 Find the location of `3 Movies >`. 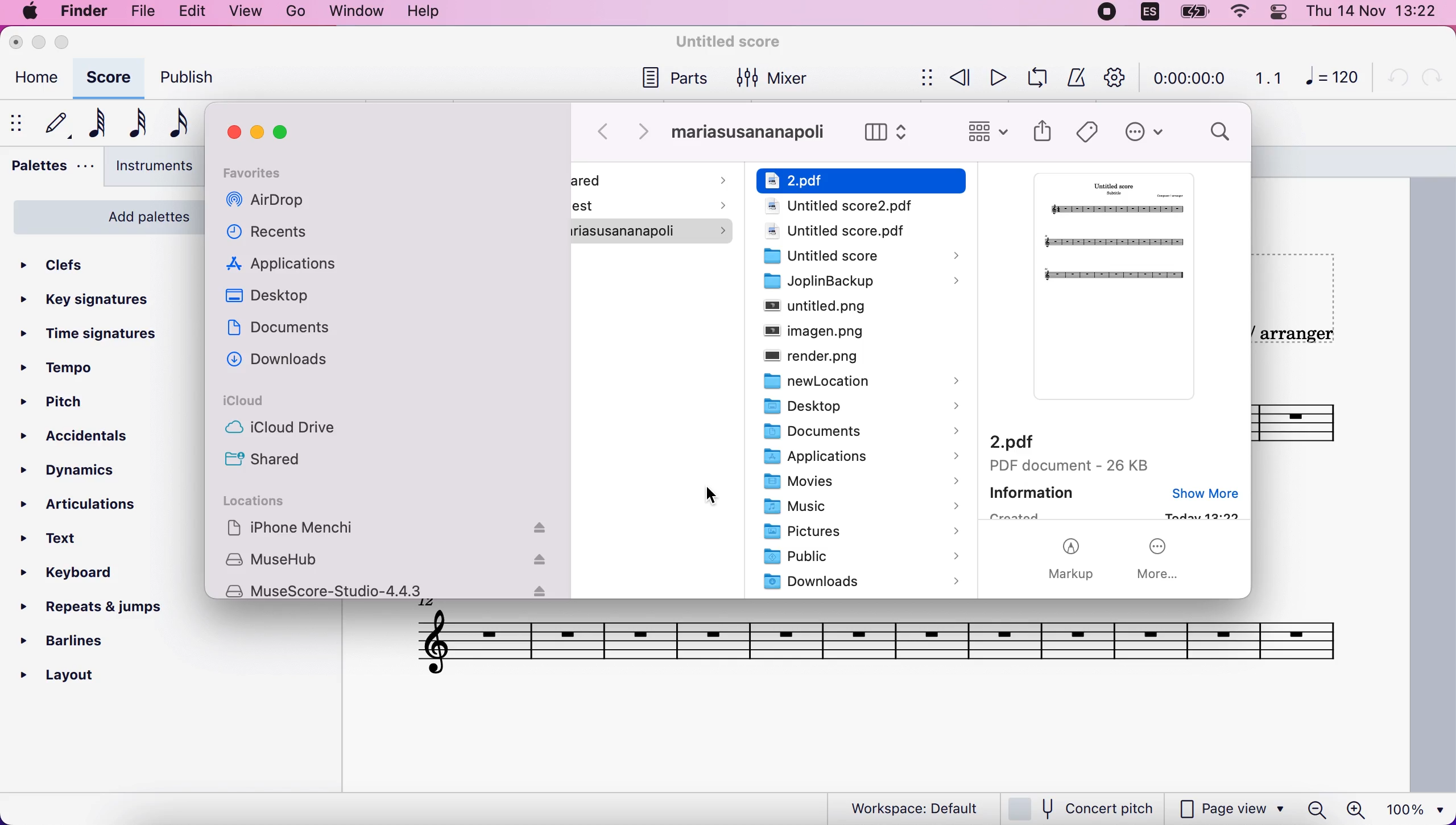

3 Movies > is located at coordinates (857, 482).